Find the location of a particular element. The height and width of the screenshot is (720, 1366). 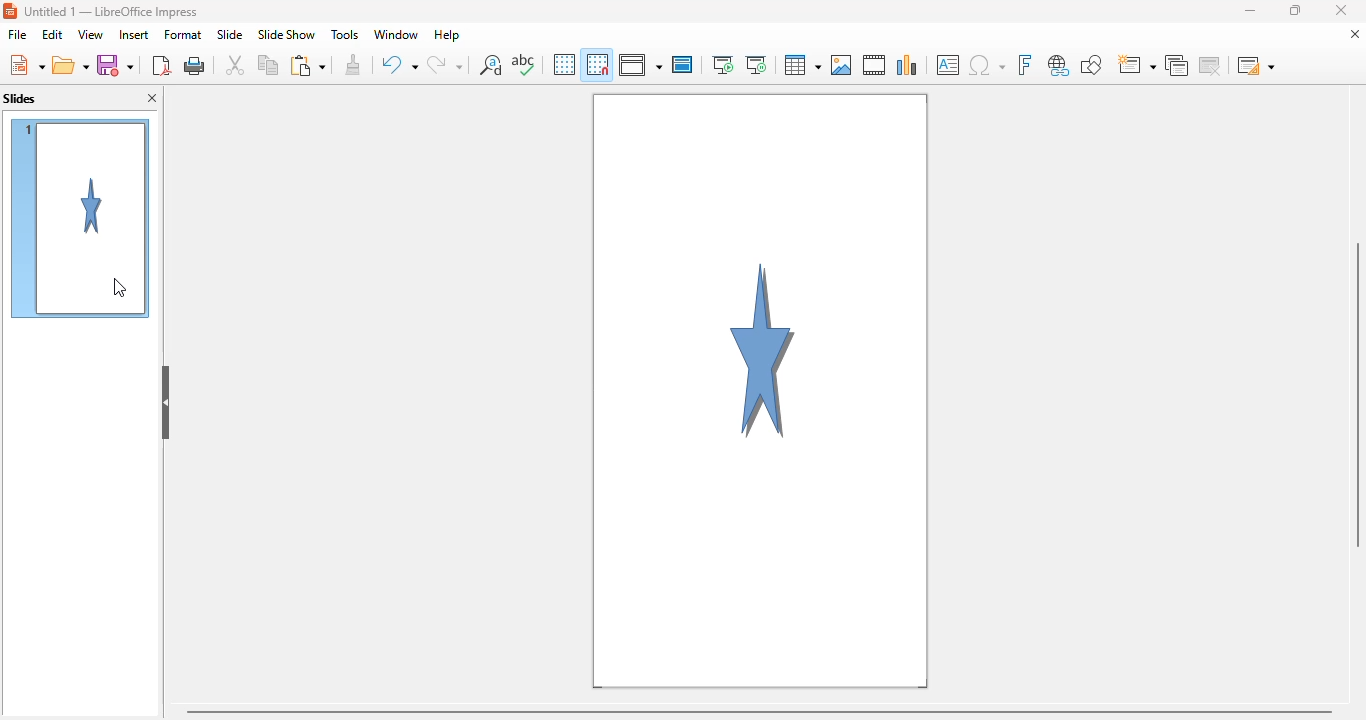

minimize is located at coordinates (1250, 11).